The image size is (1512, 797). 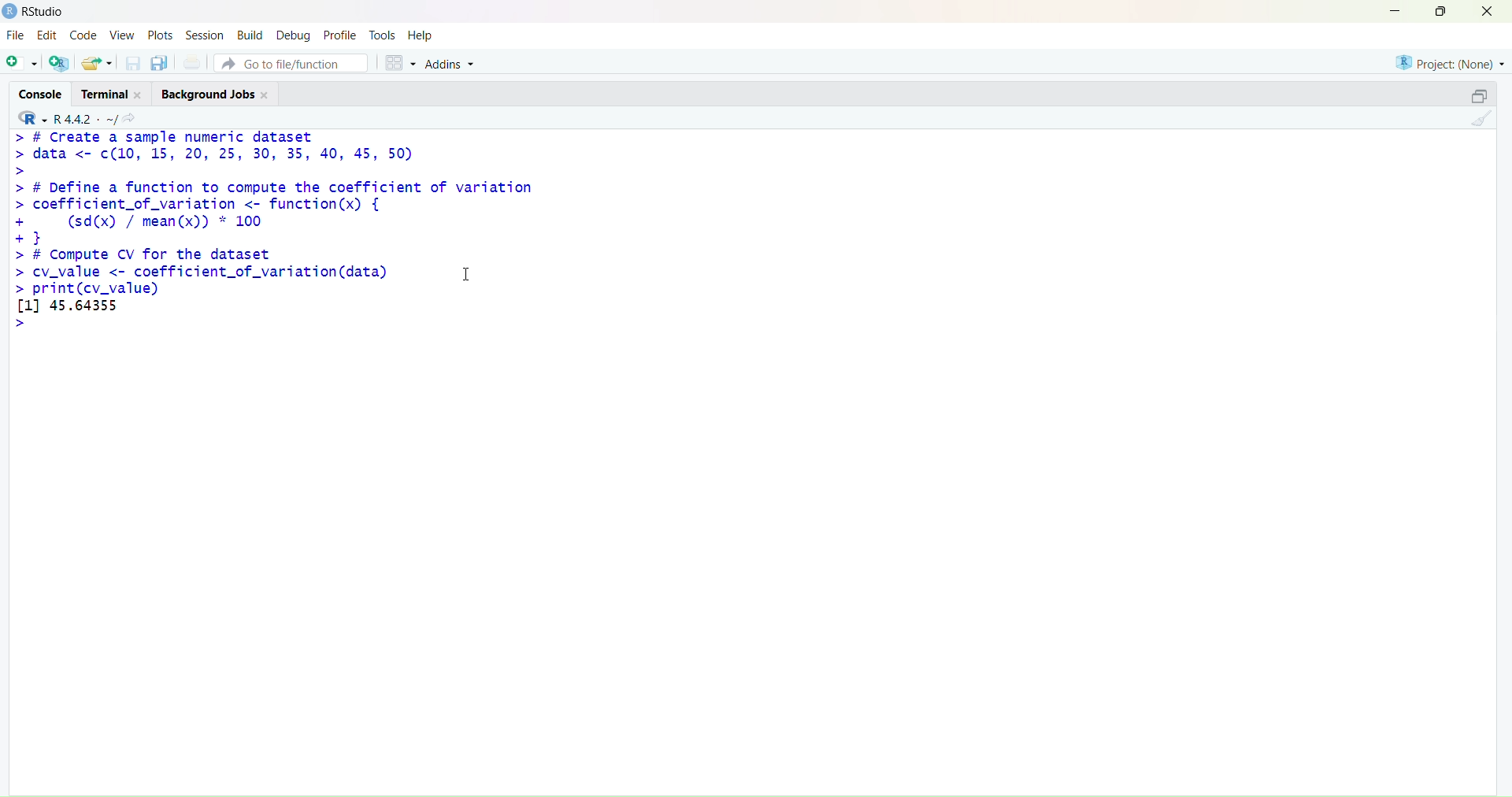 What do you see at coordinates (122, 35) in the screenshot?
I see `view` at bounding box center [122, 35].